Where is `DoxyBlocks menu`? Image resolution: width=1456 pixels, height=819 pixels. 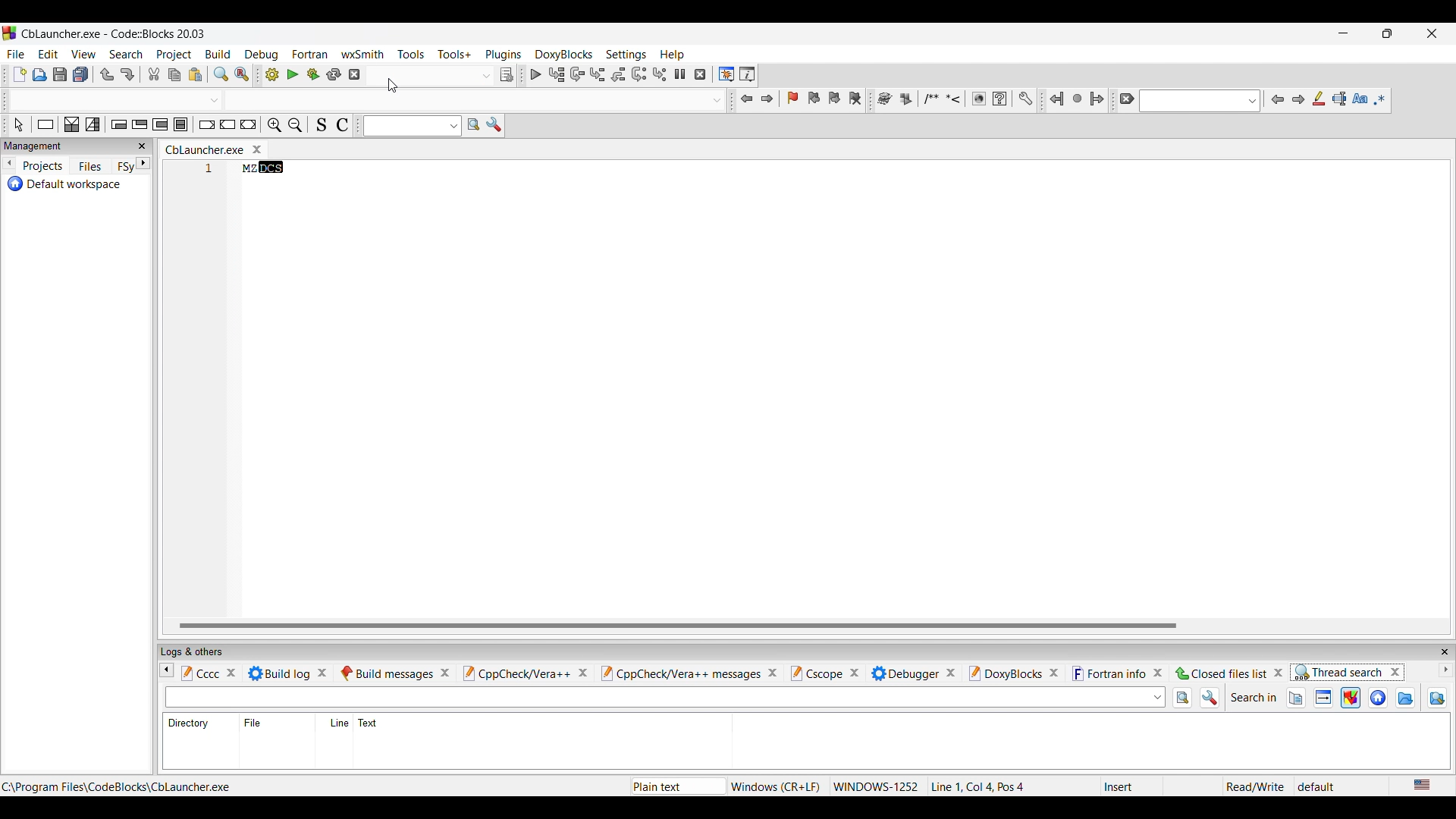
DoxyBlocks menu is located at coordinates (564, 55).